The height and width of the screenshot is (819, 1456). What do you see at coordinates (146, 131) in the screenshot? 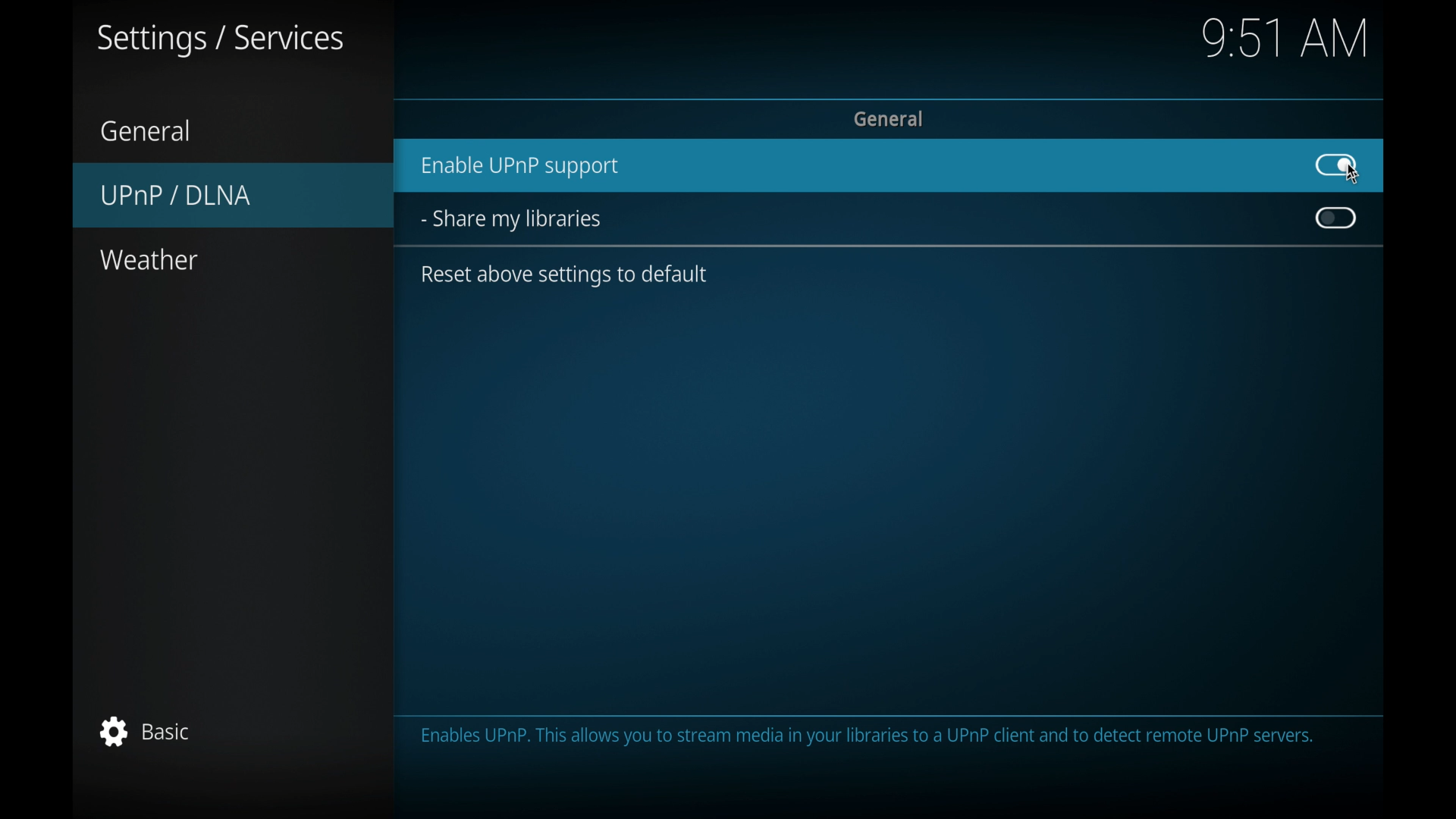
I see `general` at bounding box center [146, 131].